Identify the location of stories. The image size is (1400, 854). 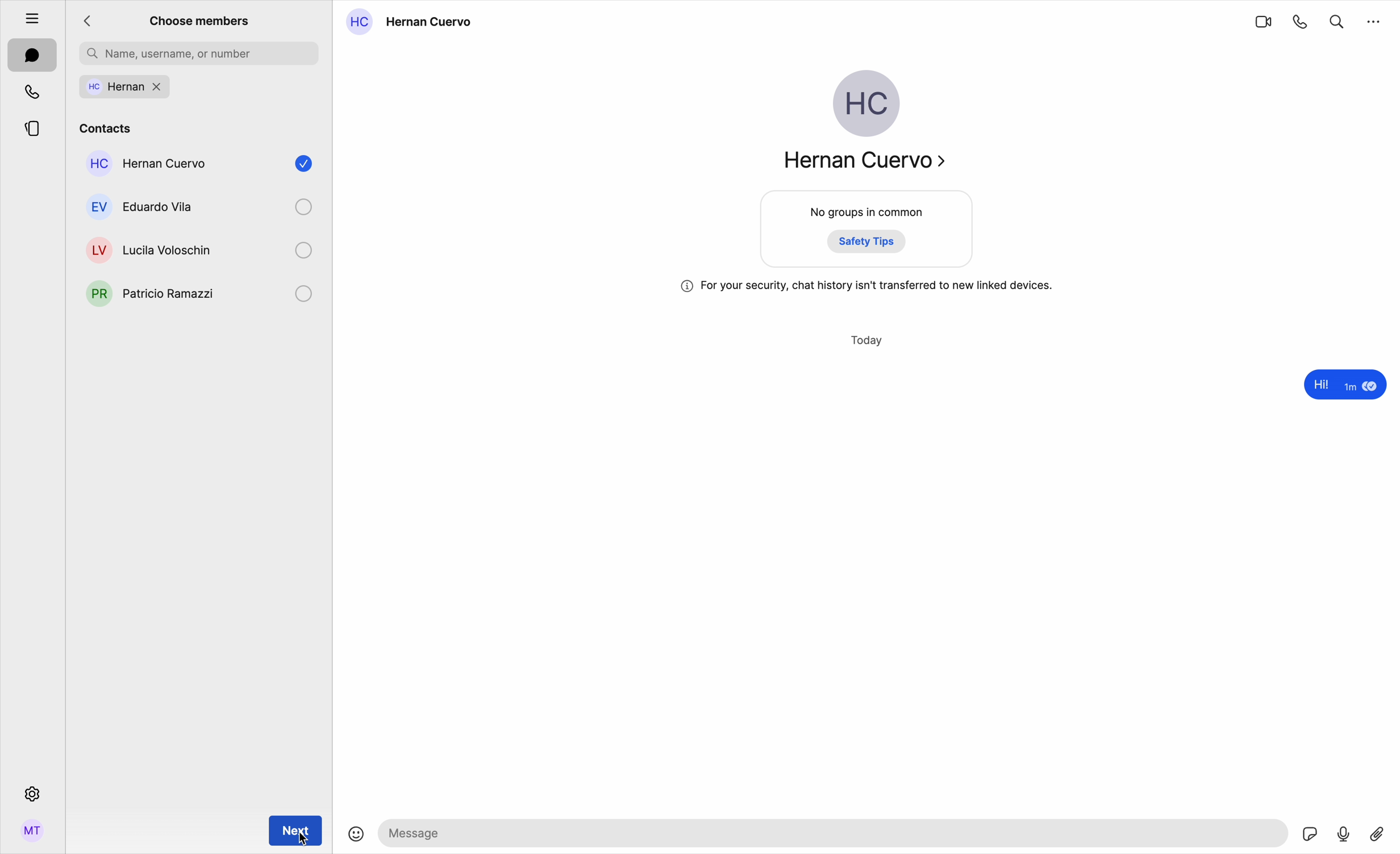
(32, 127).